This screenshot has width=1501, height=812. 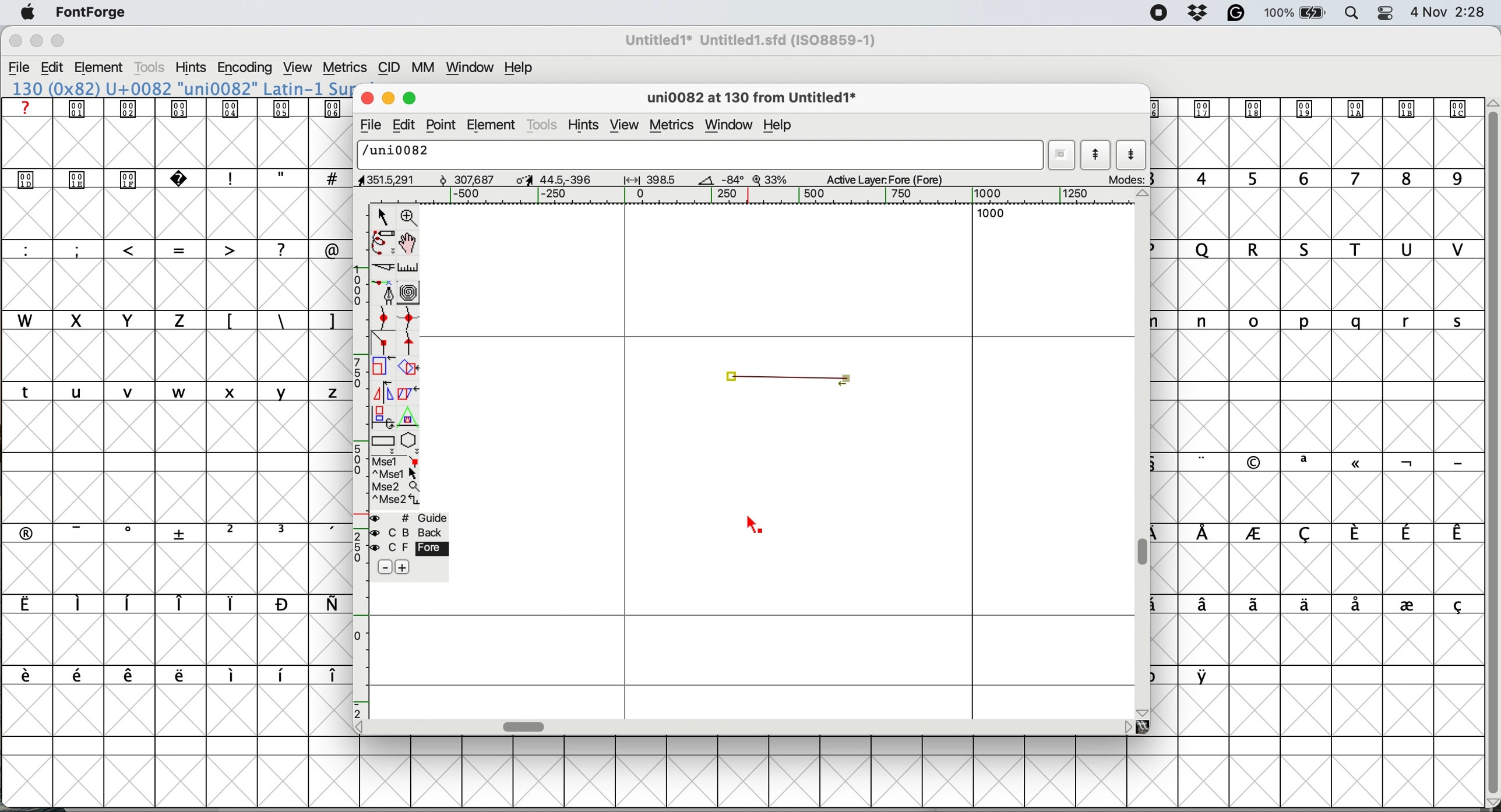 I want to click on symbols, so click(x=1331, y=534).